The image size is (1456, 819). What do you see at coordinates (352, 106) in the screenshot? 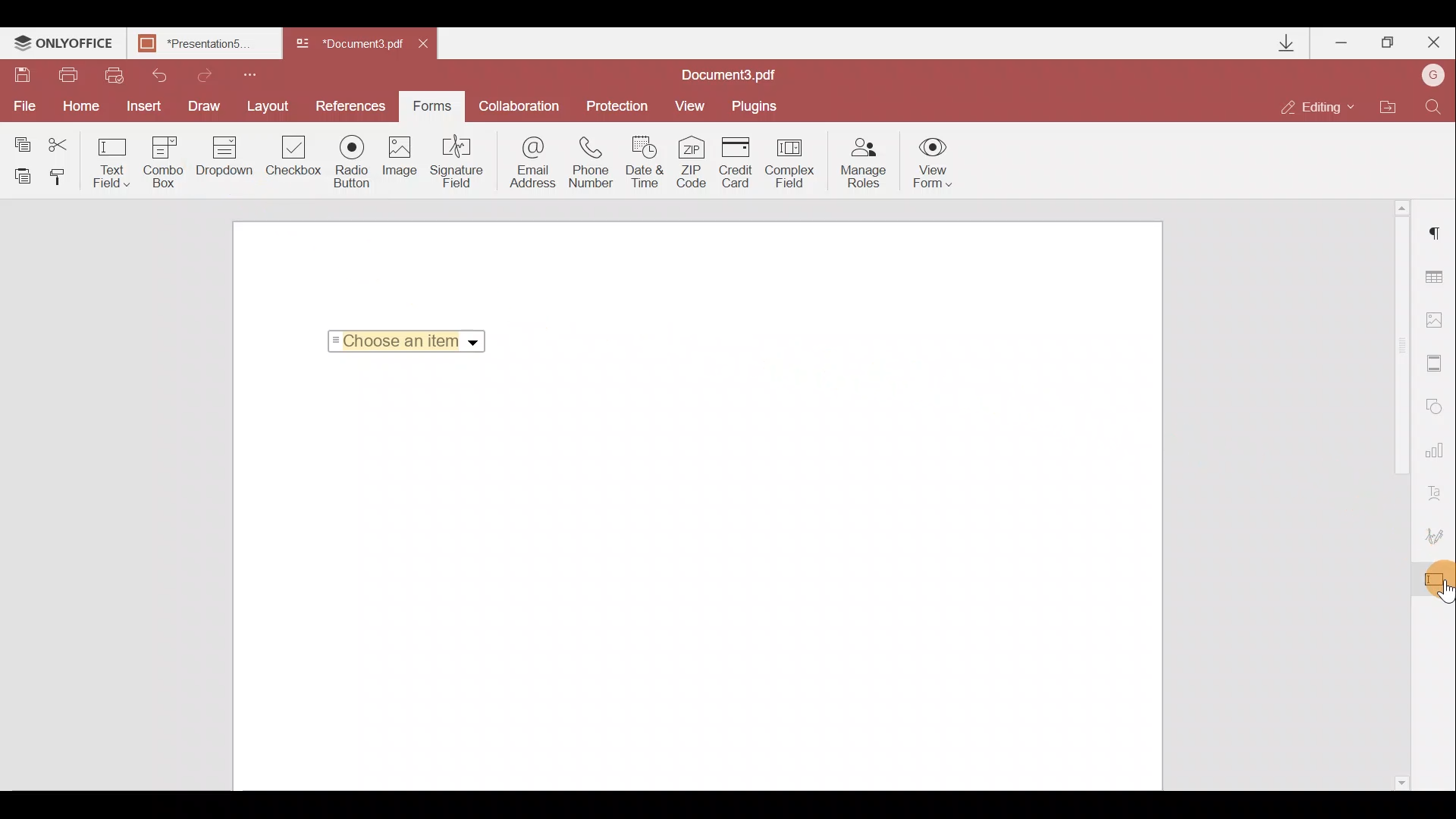
I see `Preferences` at bounding box center [352, 106].